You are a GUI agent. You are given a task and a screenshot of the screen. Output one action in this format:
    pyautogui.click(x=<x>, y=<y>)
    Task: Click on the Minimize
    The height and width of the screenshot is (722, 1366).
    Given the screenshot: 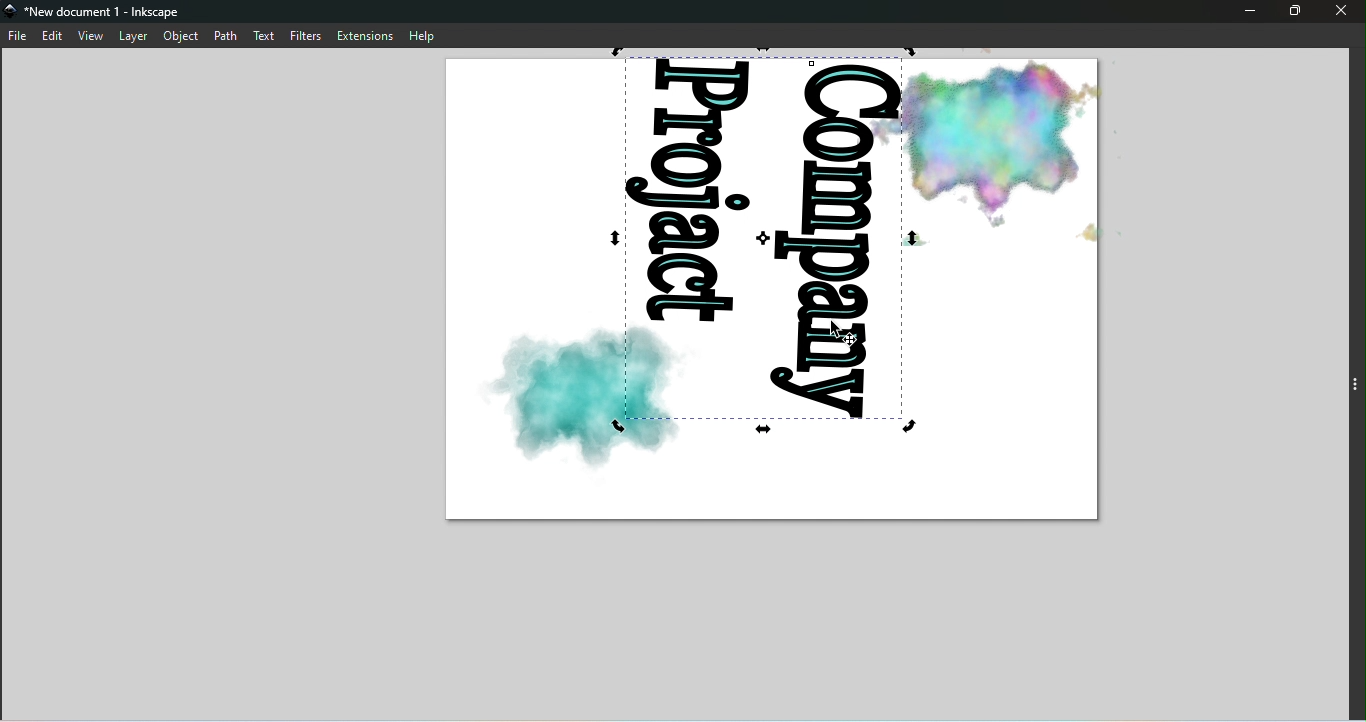 What is the action you would take?
    pyautogui.click(x=1246, y=13)
    